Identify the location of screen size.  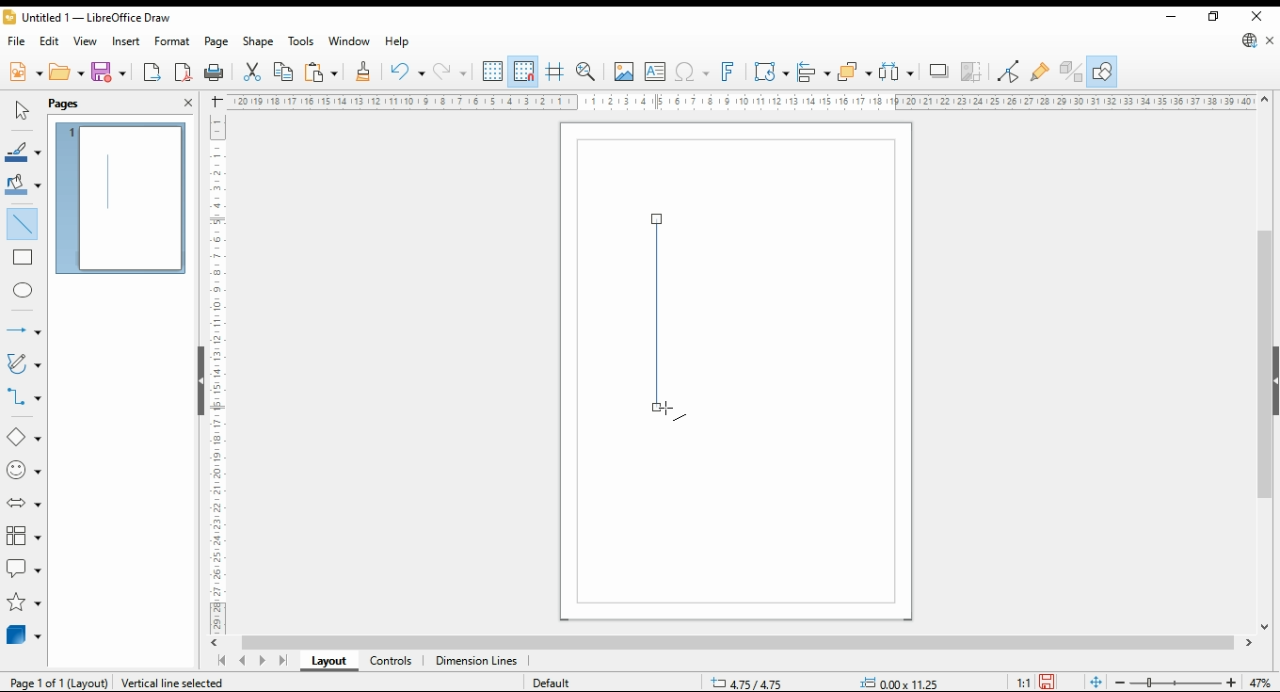
(752, 681).